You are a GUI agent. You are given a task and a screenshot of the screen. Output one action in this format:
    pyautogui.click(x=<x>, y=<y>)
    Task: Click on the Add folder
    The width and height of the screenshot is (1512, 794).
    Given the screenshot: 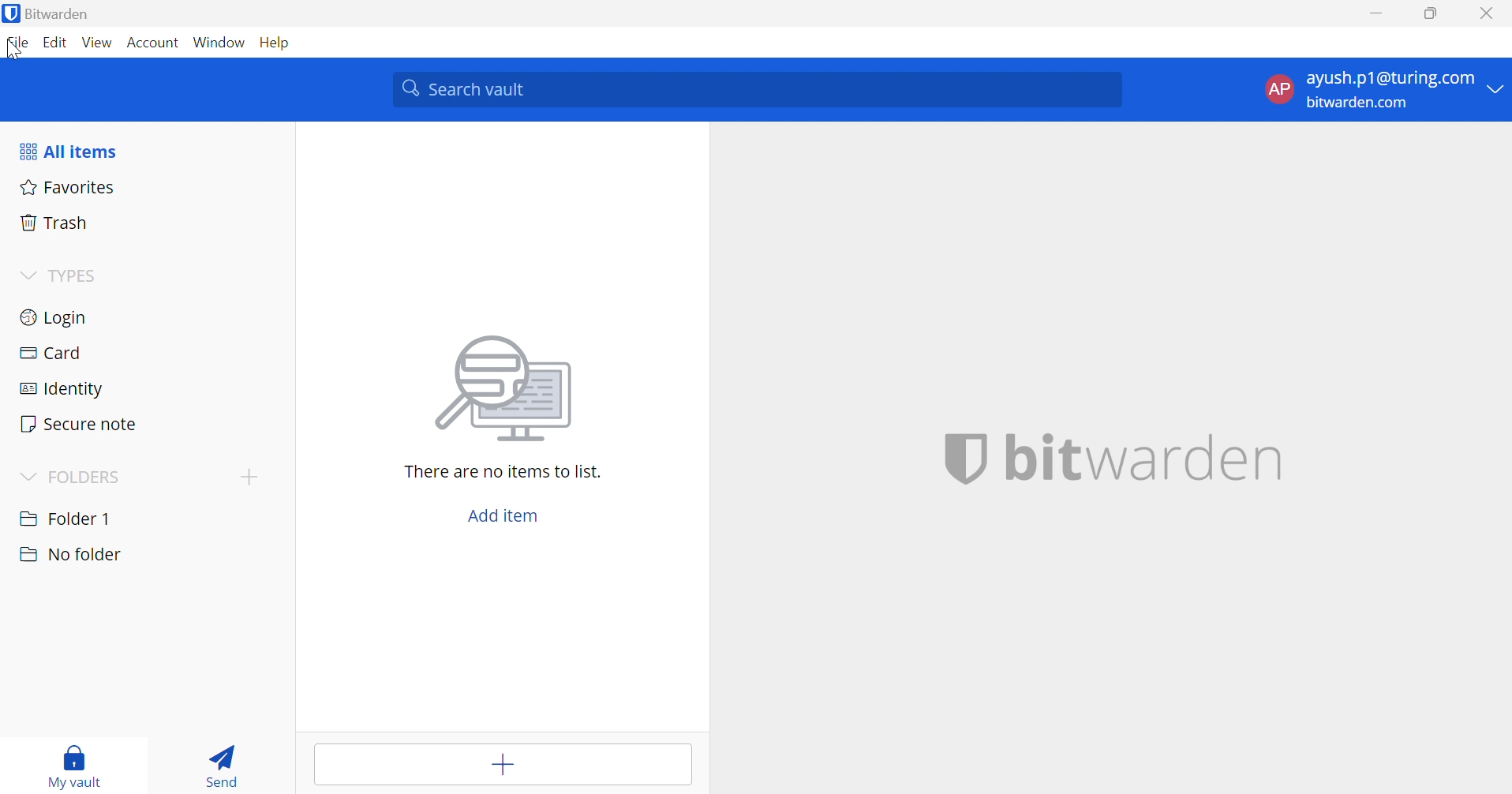 What is the action you would take?
    pyautogui.click(x=249, y=477)
    